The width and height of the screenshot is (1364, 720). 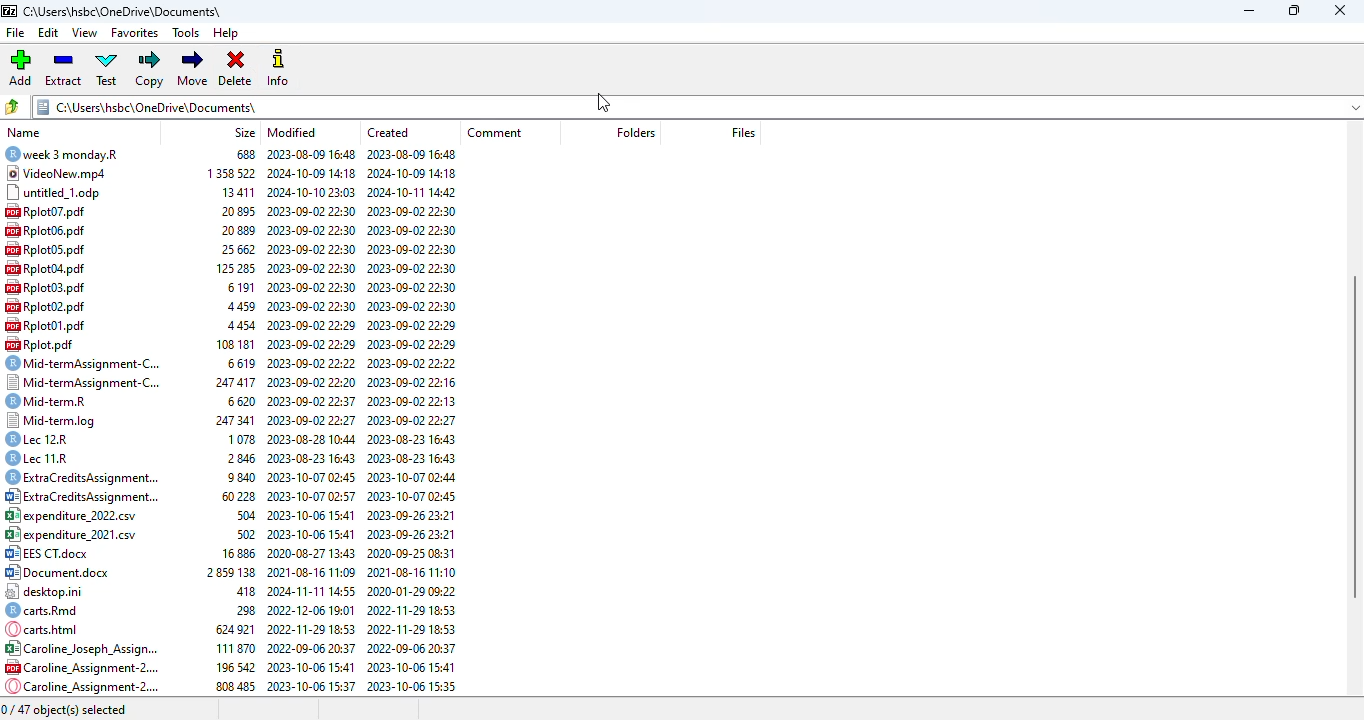 I want to click on files, so click(x=744, y=132).